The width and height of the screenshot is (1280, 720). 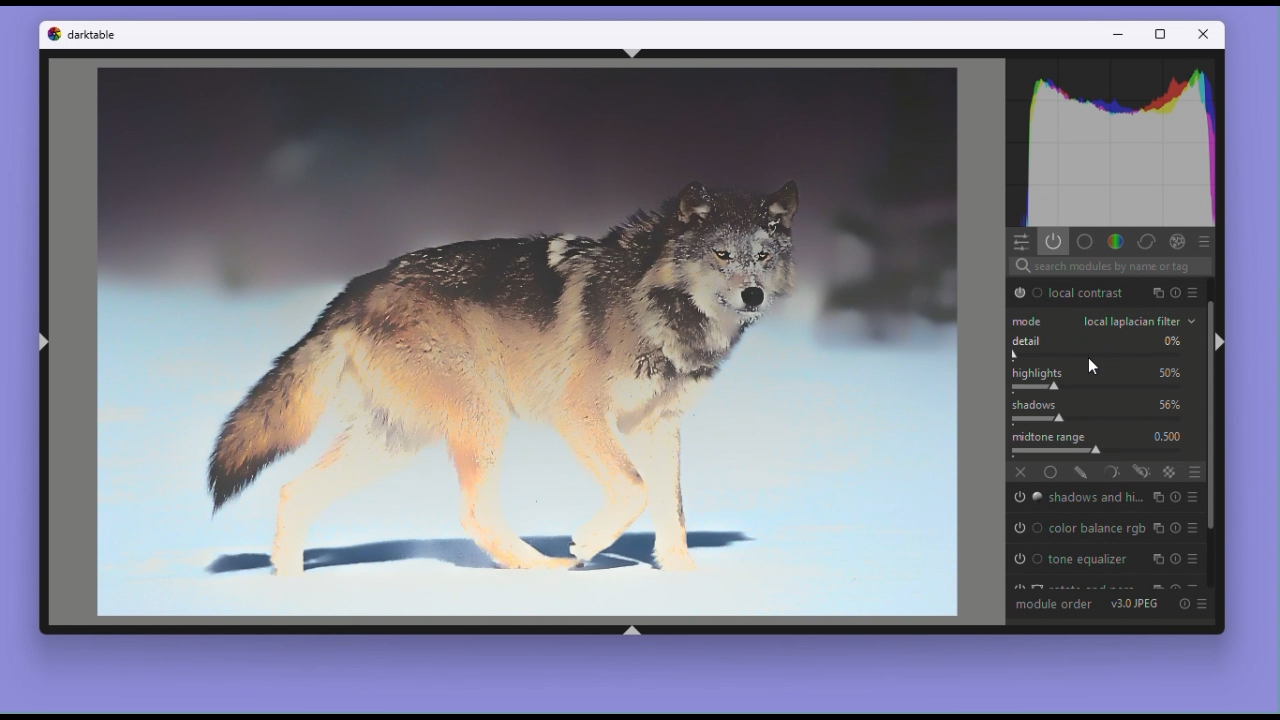 I want to click on search modules by name or tag, so click(x=1180, y=292).